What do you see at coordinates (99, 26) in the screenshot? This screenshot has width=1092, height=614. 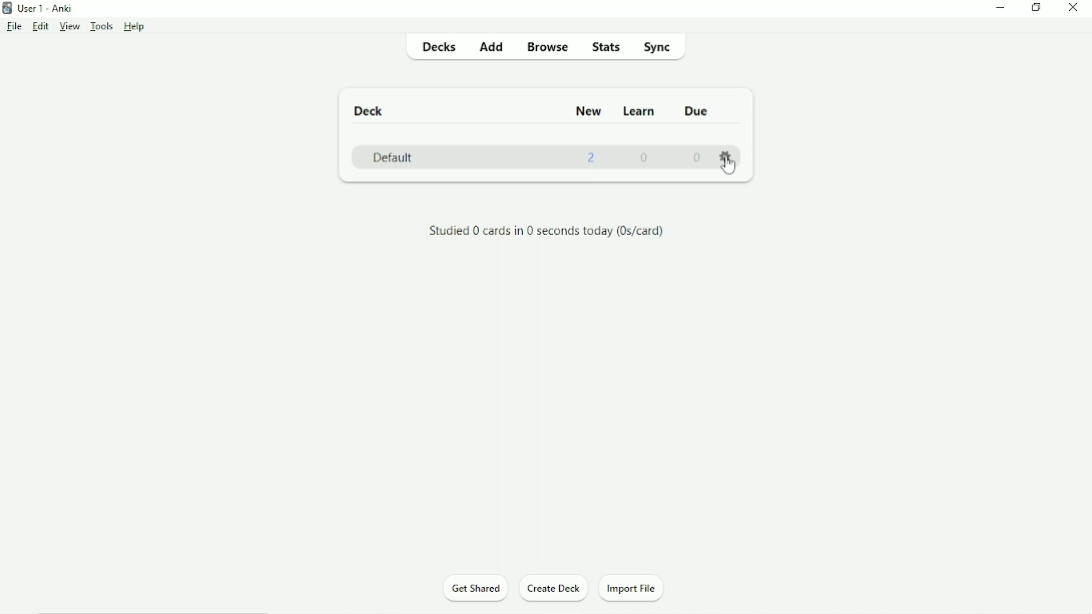 I see `Tools` at bounding box center [99, 26].